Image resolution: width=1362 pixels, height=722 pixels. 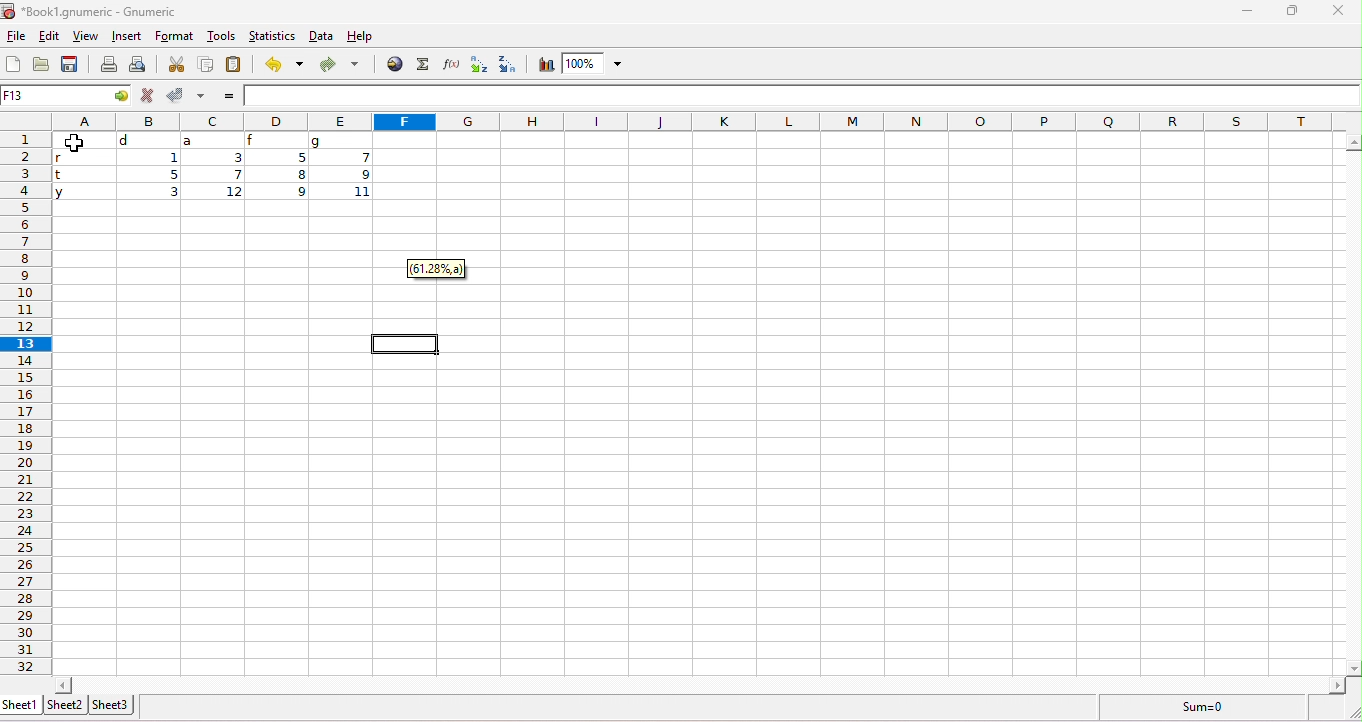 I want to click on sort ascending, so click(x=477, y=64).